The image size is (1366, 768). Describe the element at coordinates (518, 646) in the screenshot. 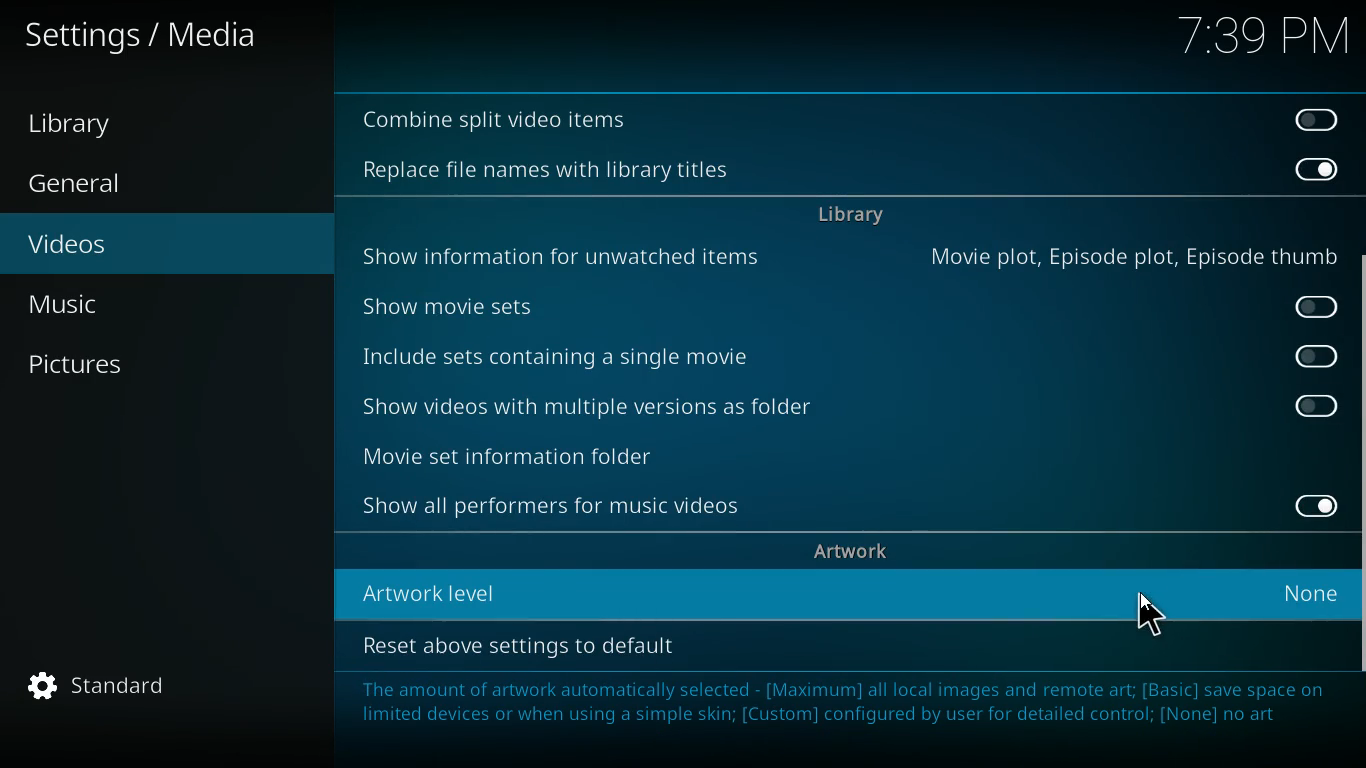

I see `reset above setting to default` at that location.